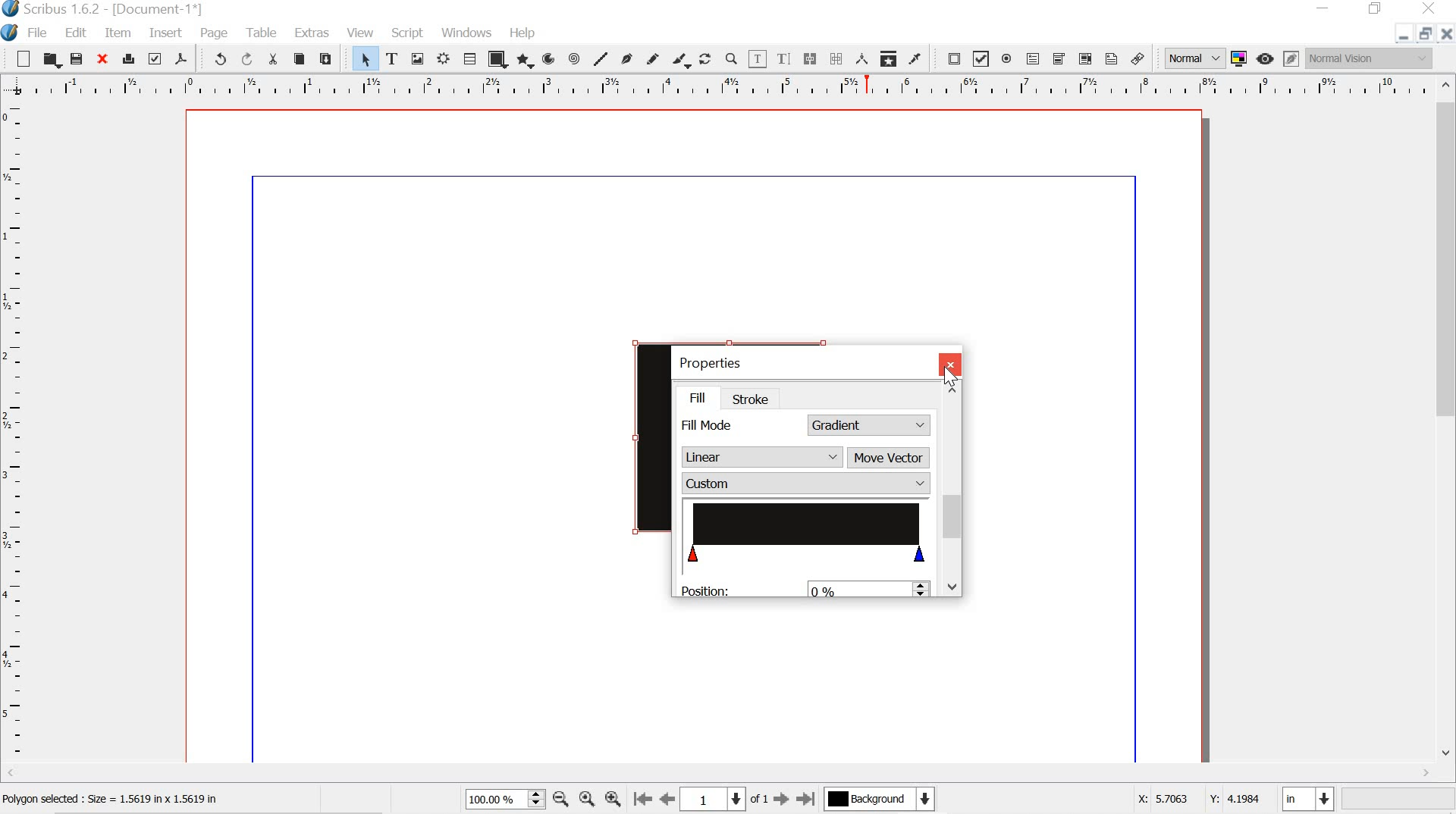 This screenshot has height=814, width=1456. Describe the element at coordinates (534, 799) in the screenshot. I see `zoom in and out` at that location.